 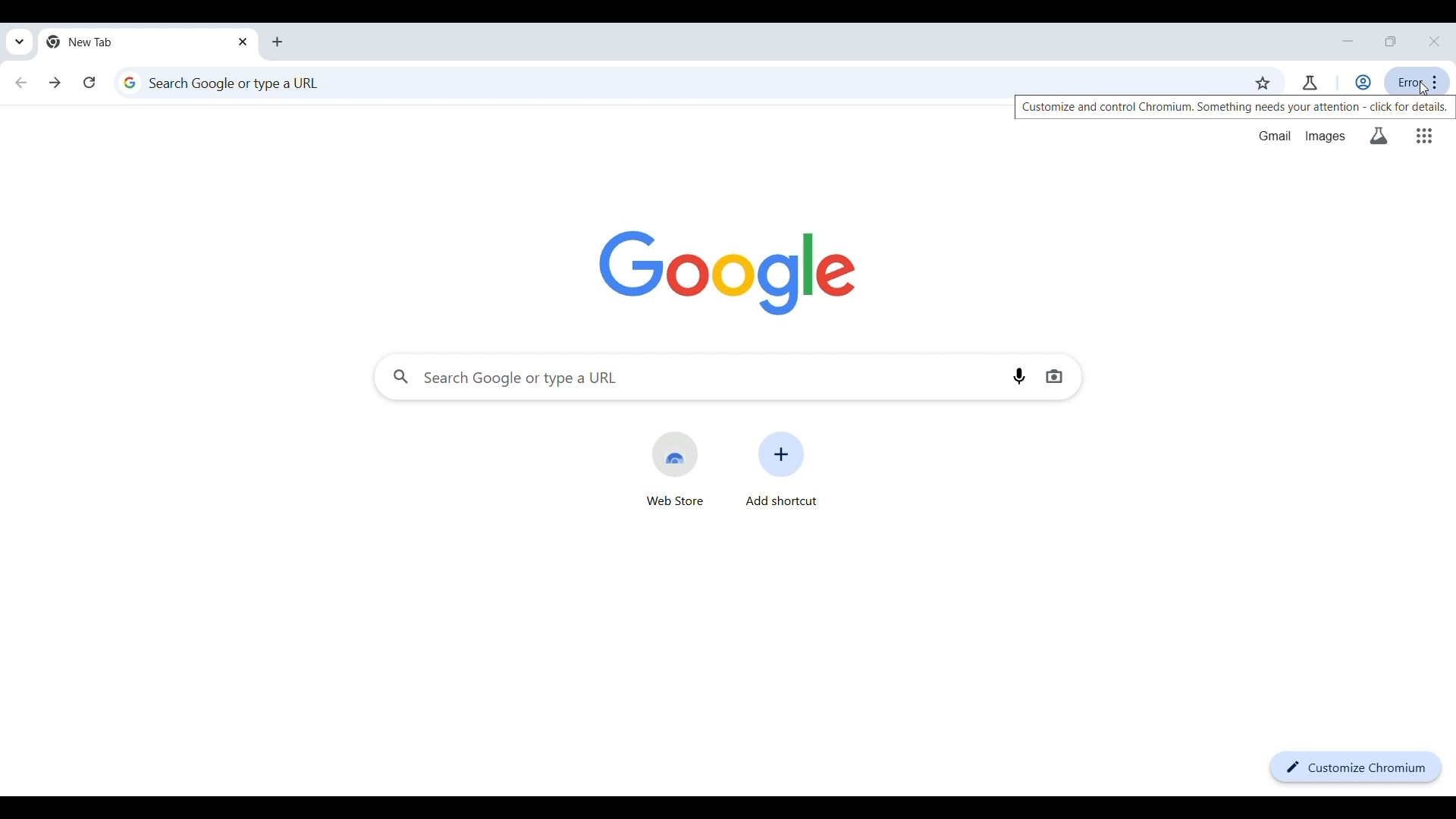 I want to click on Search by image, so click(x=1055, y=376).